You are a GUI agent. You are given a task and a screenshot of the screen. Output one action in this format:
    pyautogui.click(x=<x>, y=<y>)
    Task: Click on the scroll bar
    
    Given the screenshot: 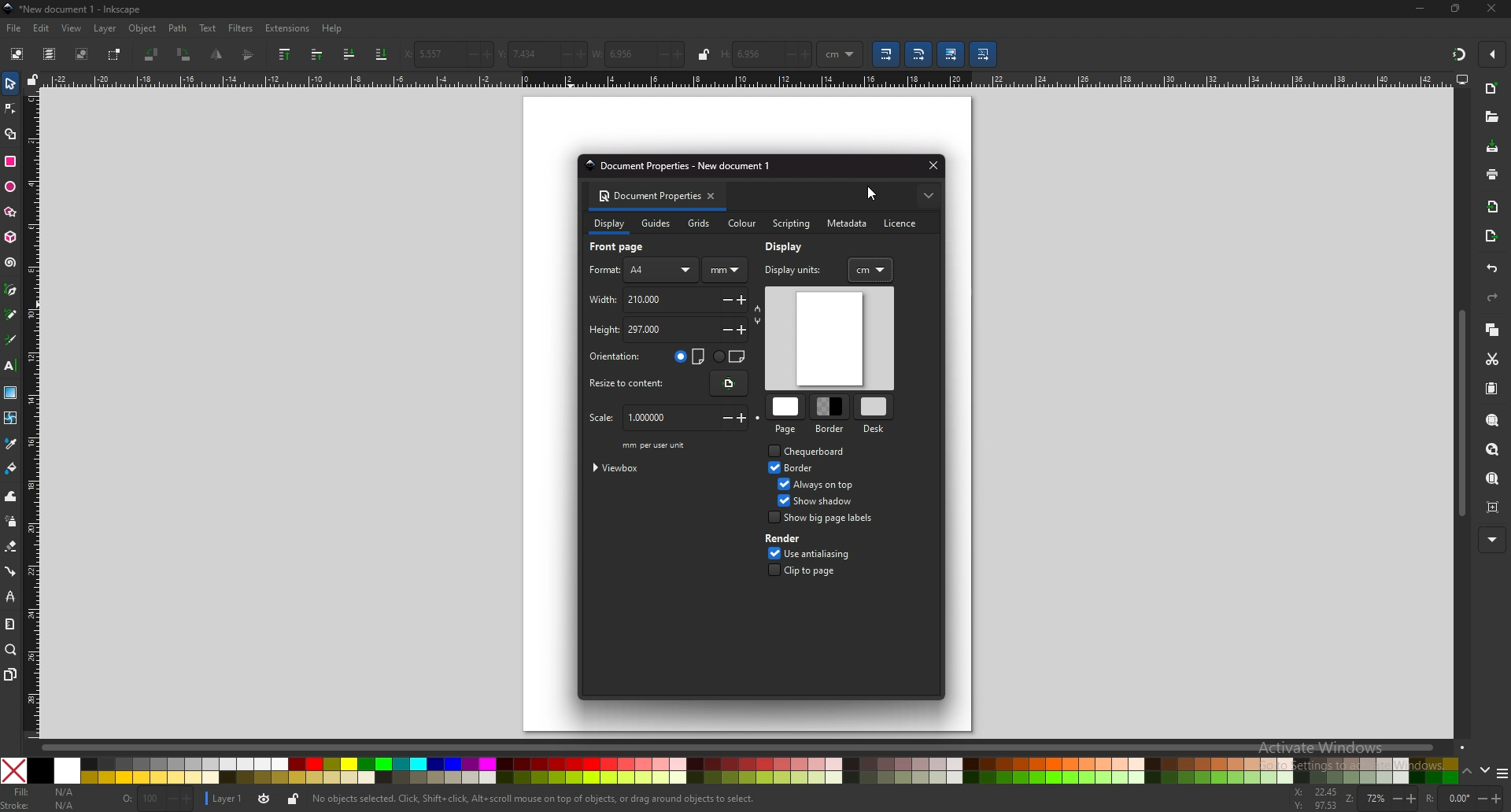 What is the action you would take?
    pyautogui.click(x=1462, y=414)
    